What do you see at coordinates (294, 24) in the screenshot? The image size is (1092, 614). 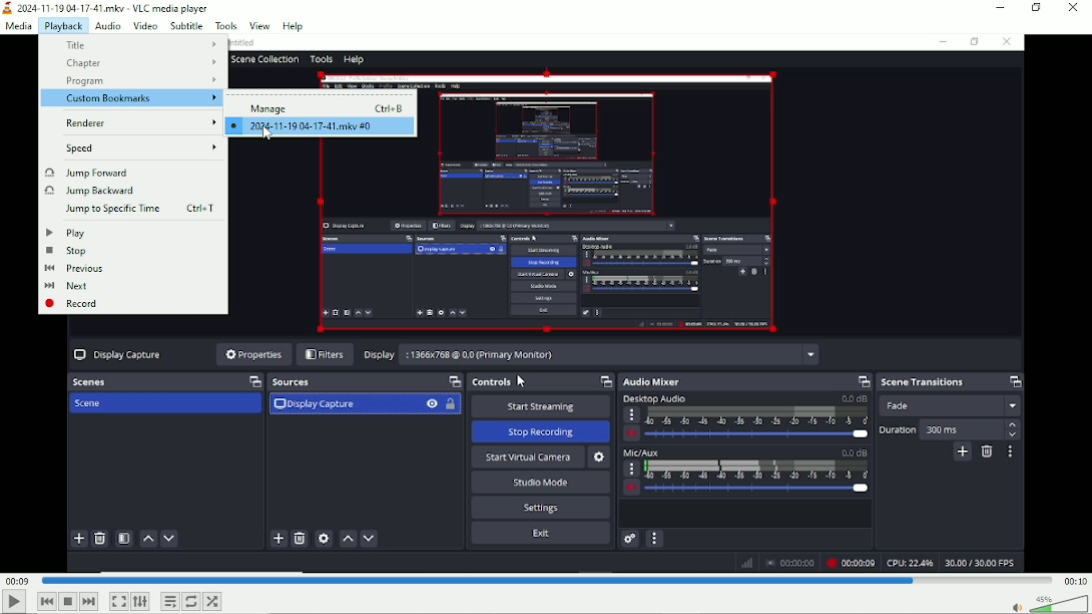 I see `help` at bounding box center [294, 24].